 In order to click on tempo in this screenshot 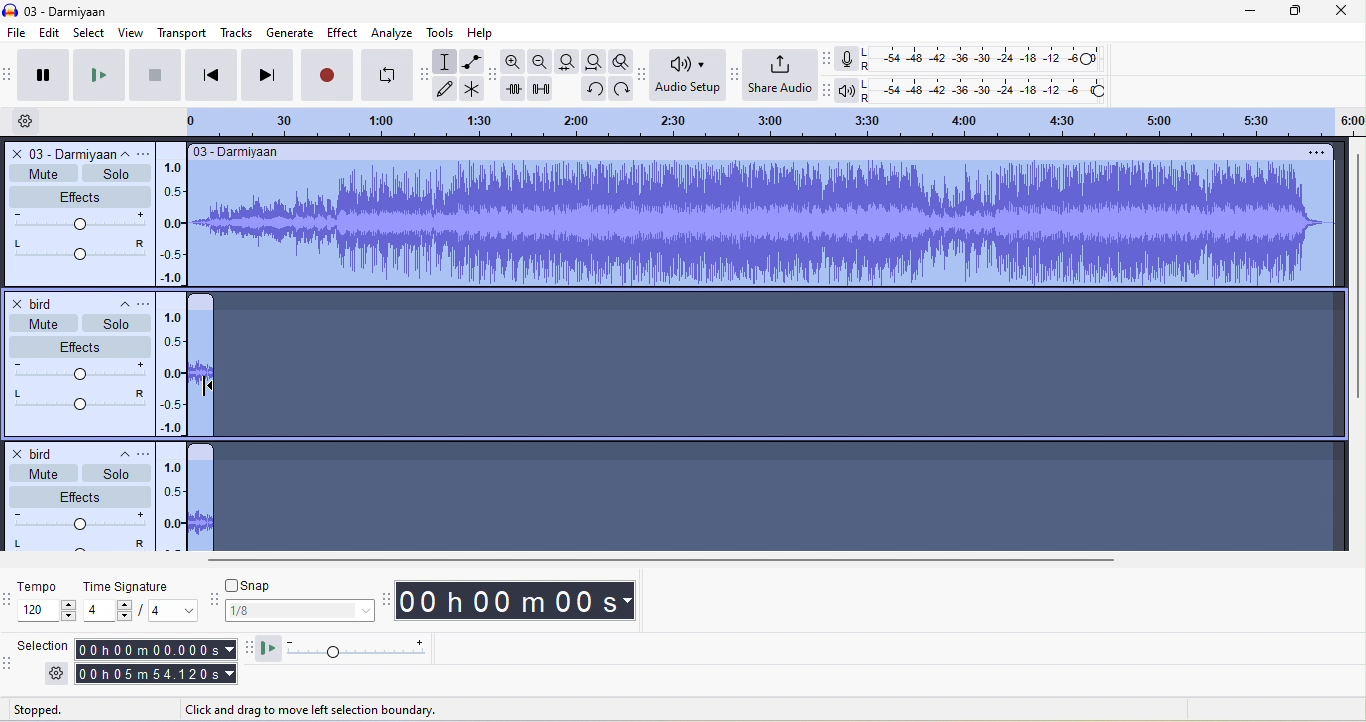, I will do `click(49, 611)`.